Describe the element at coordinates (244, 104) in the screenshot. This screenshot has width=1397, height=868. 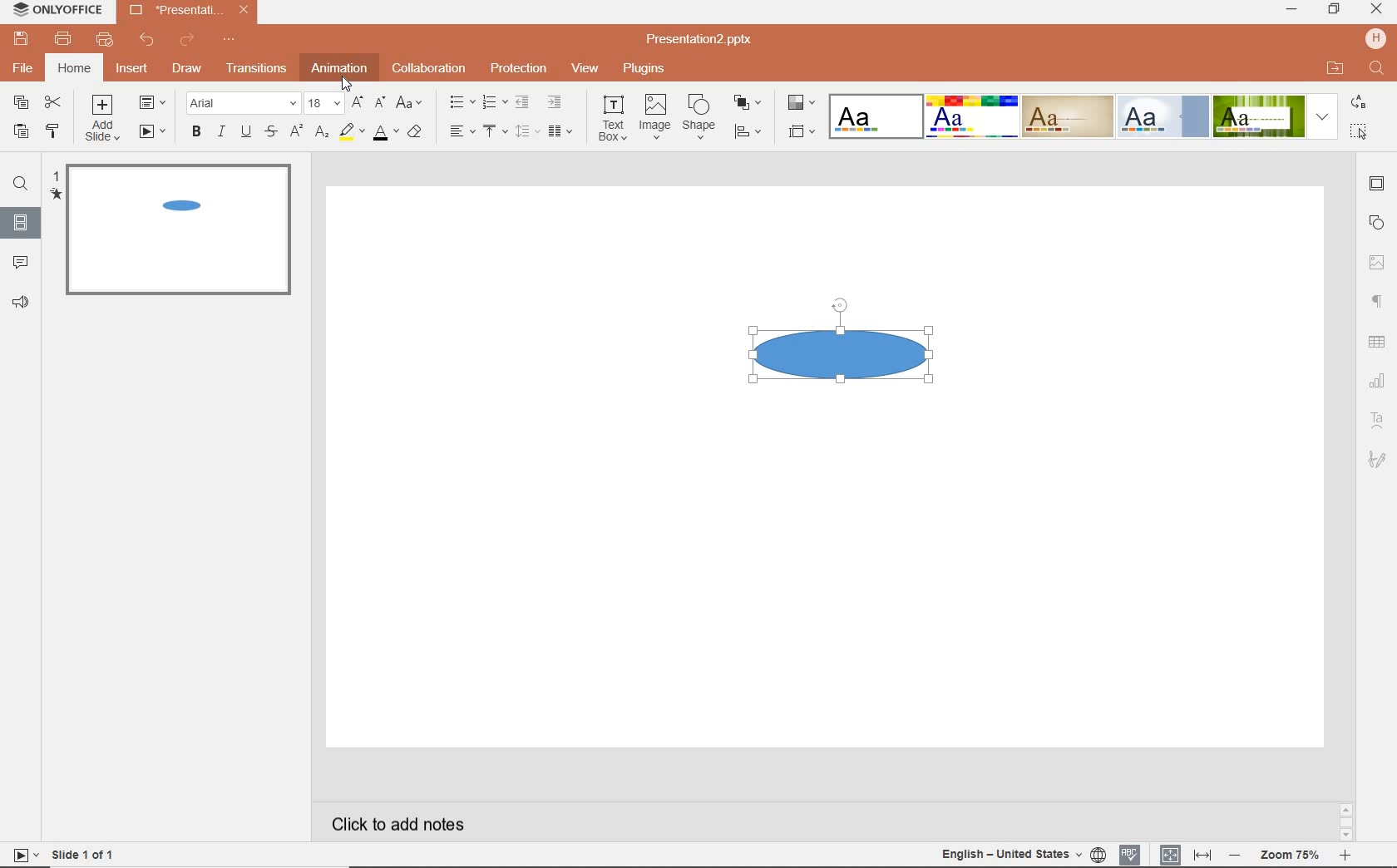
I see `FONT` at that location.